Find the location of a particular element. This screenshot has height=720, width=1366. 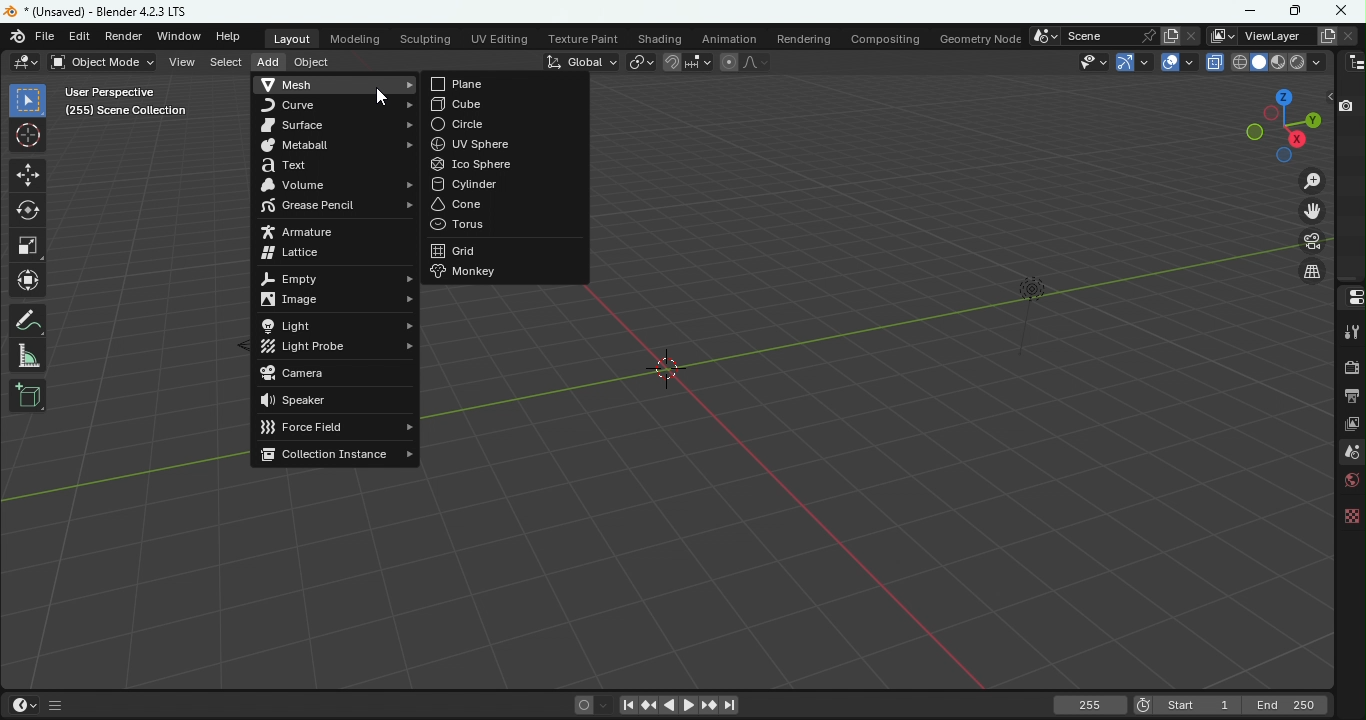

Name is located at coordinates (1097, 36).